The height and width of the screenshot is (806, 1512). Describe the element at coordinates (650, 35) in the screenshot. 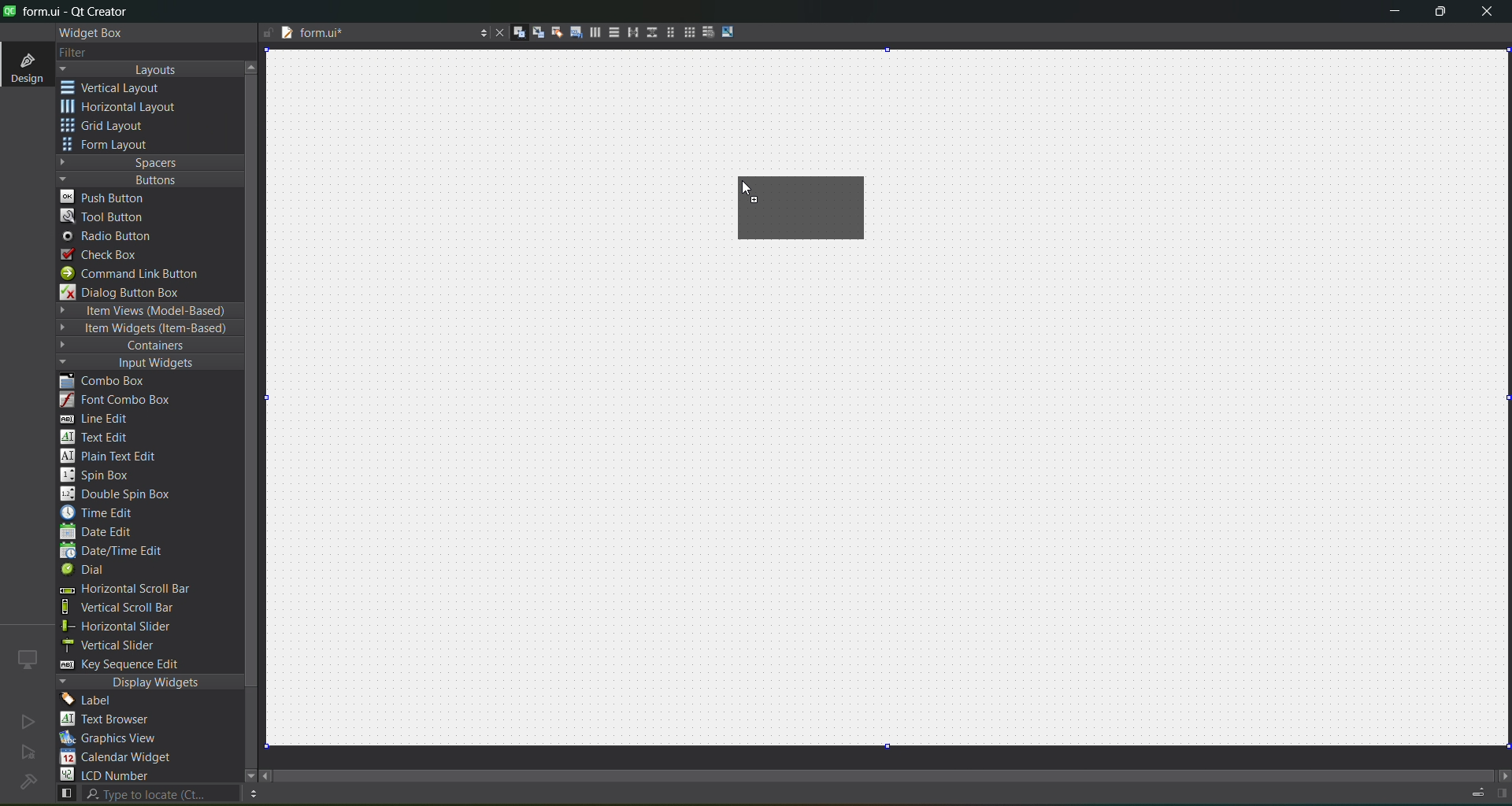

I see `vertical splitter` at that location.